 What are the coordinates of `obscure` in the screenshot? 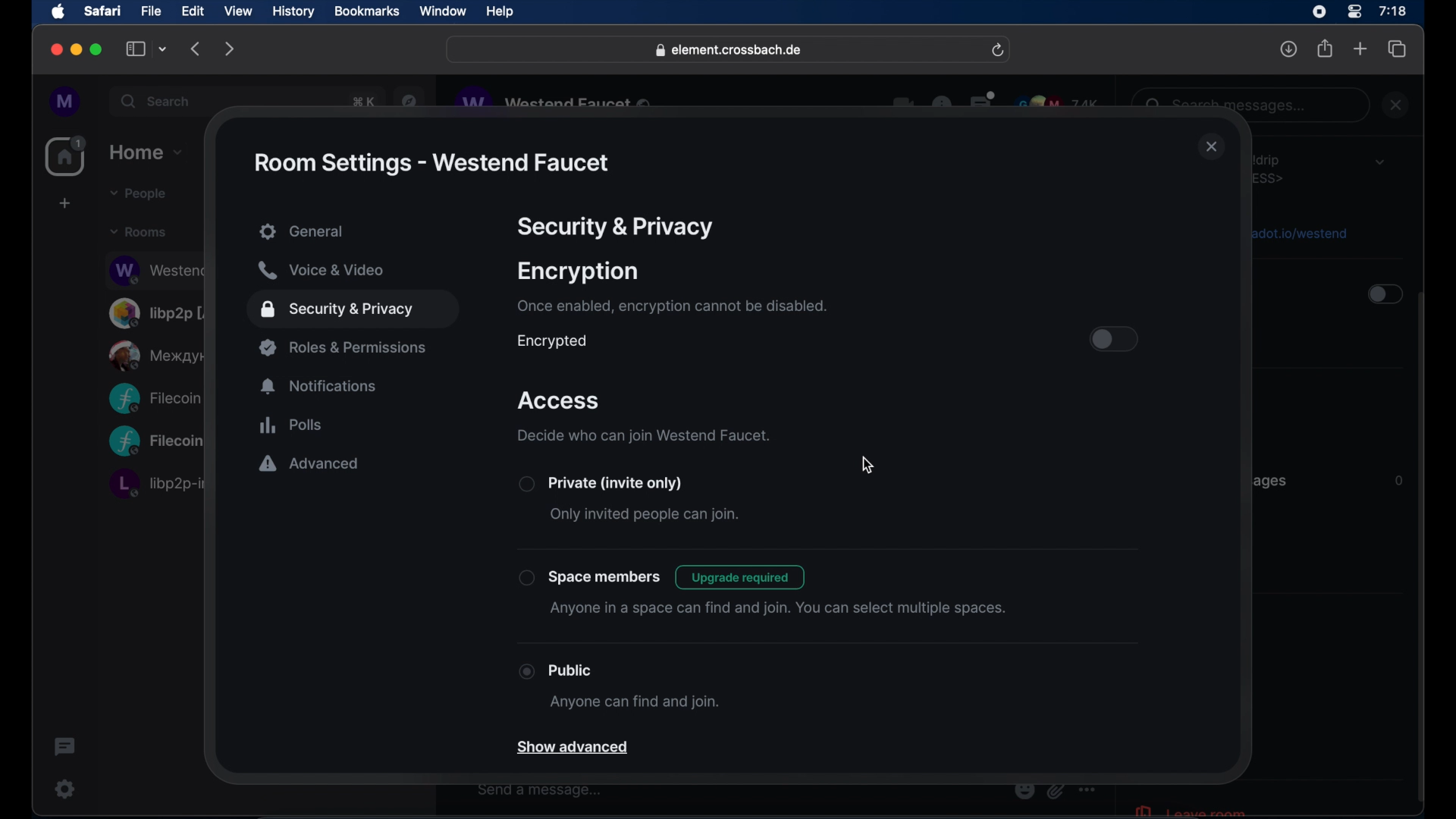 It's located at (156, 442).